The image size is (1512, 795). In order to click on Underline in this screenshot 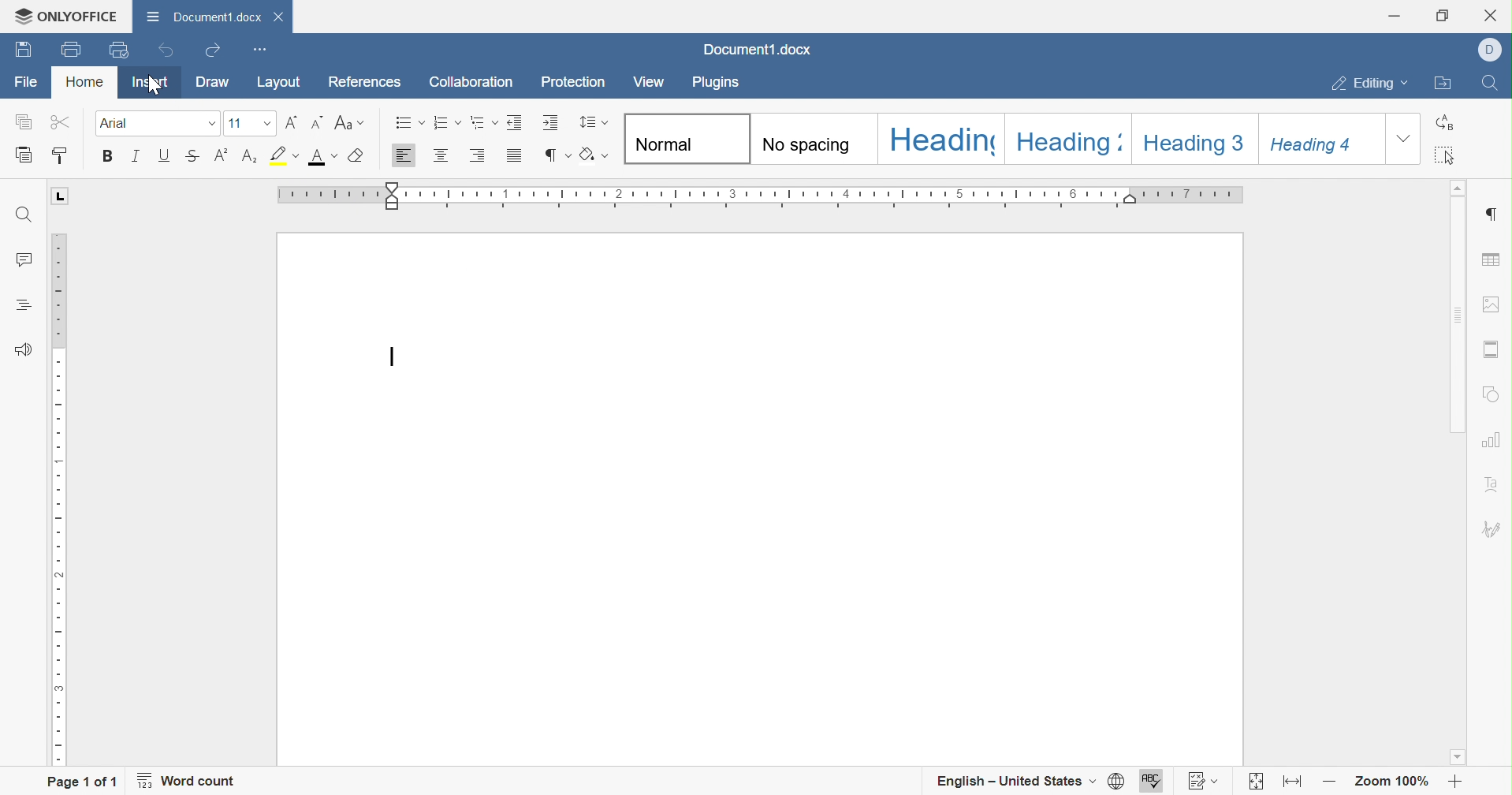, I will do `click(164, 155)`.